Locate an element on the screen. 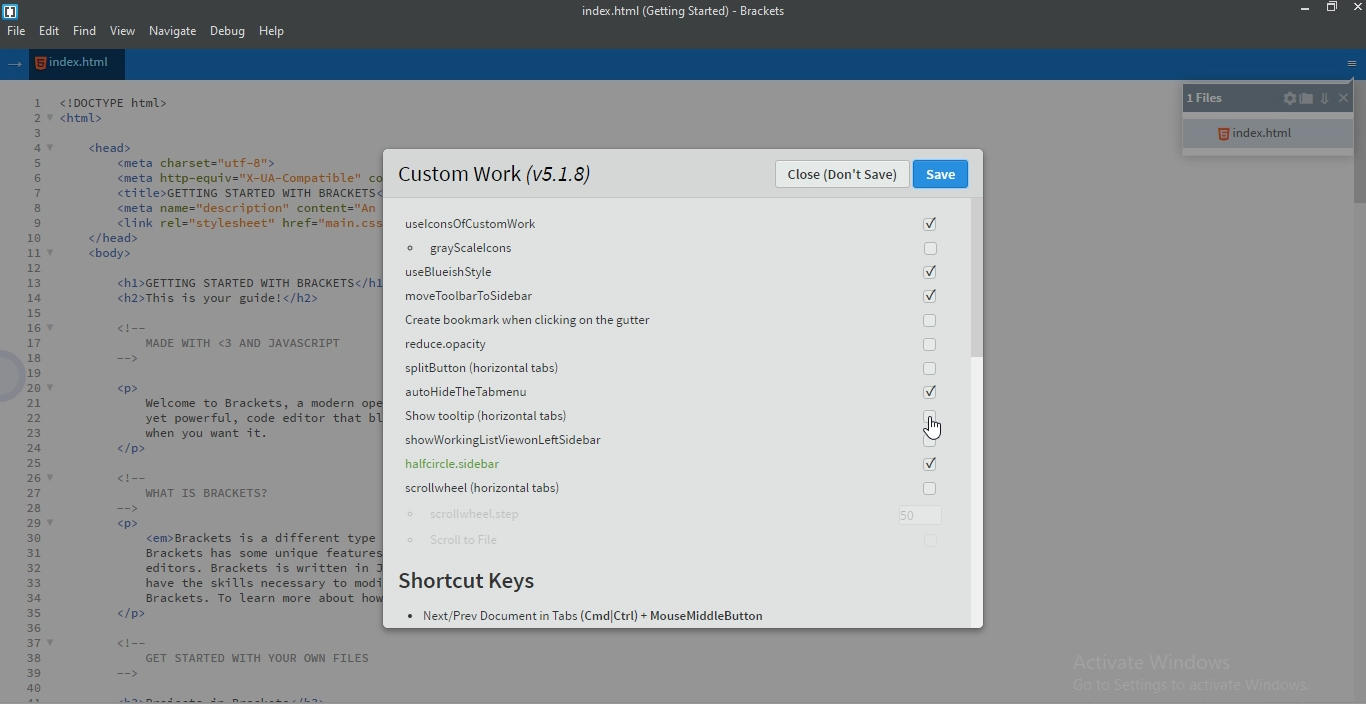  edit is located at coordinates (48, 31).